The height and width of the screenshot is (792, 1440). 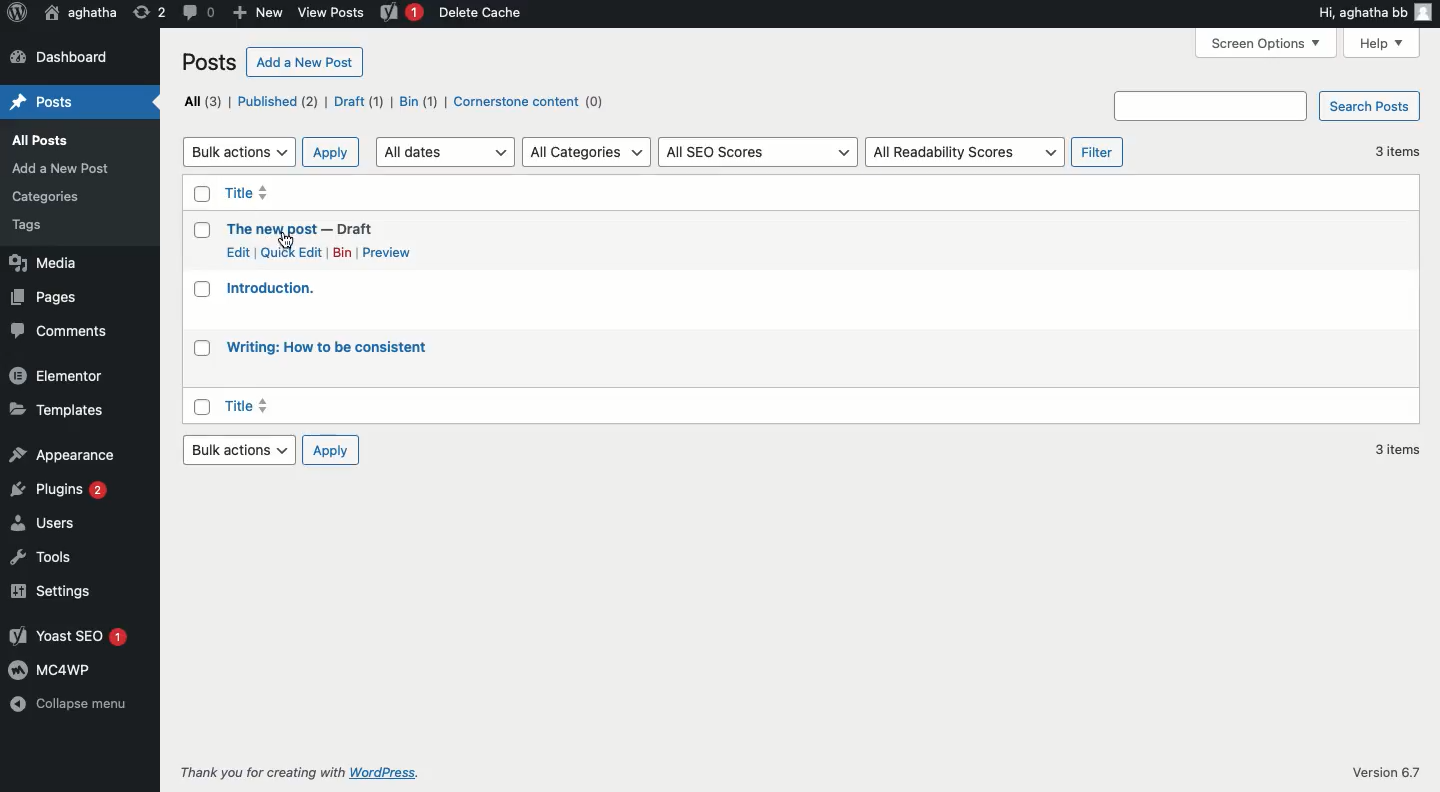 What do you see at coordinates (60, 454) in the screenshot?
I see `Appearance` at bounding box center [60, 454].